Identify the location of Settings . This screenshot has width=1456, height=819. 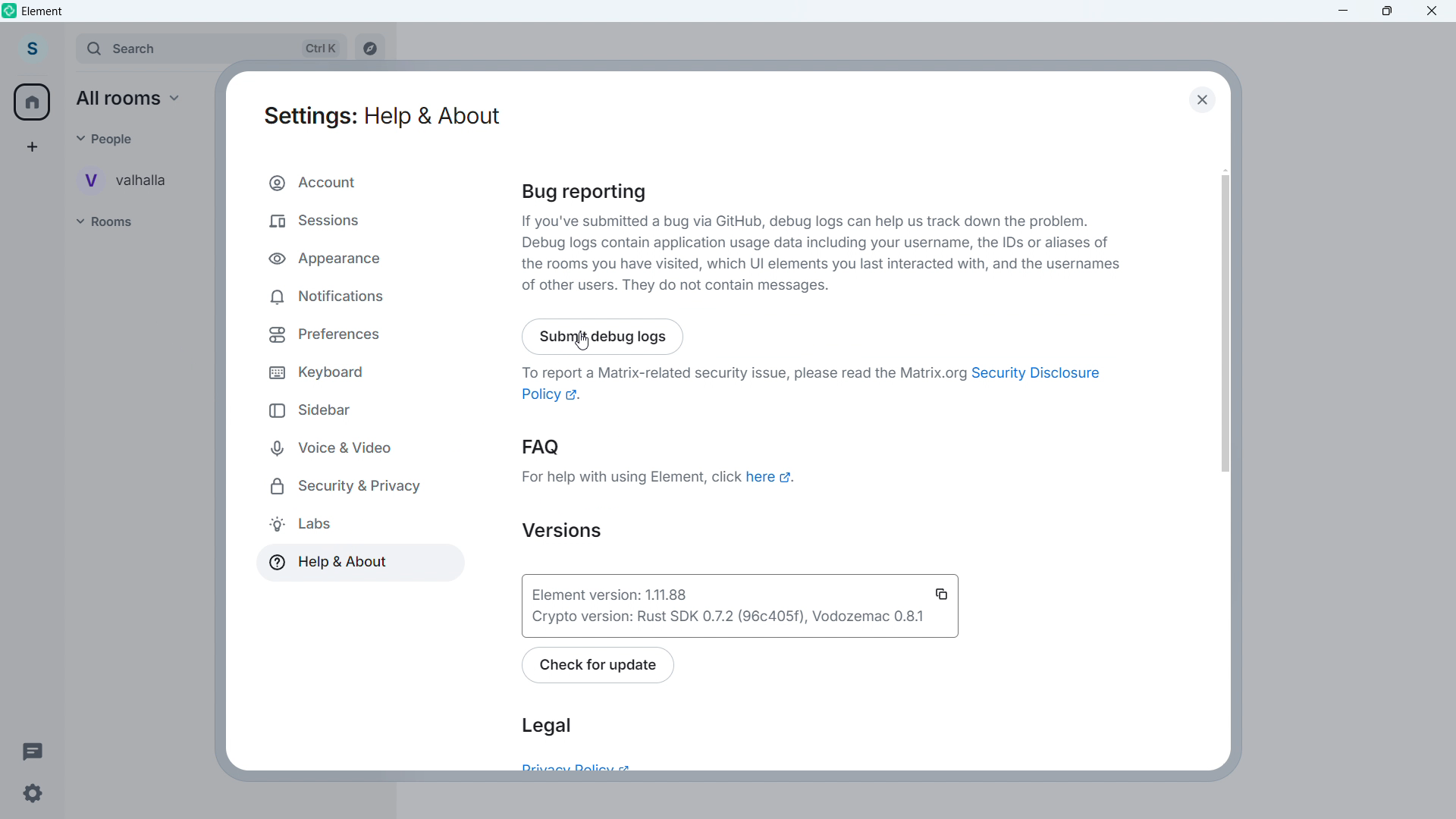
(32, 794).